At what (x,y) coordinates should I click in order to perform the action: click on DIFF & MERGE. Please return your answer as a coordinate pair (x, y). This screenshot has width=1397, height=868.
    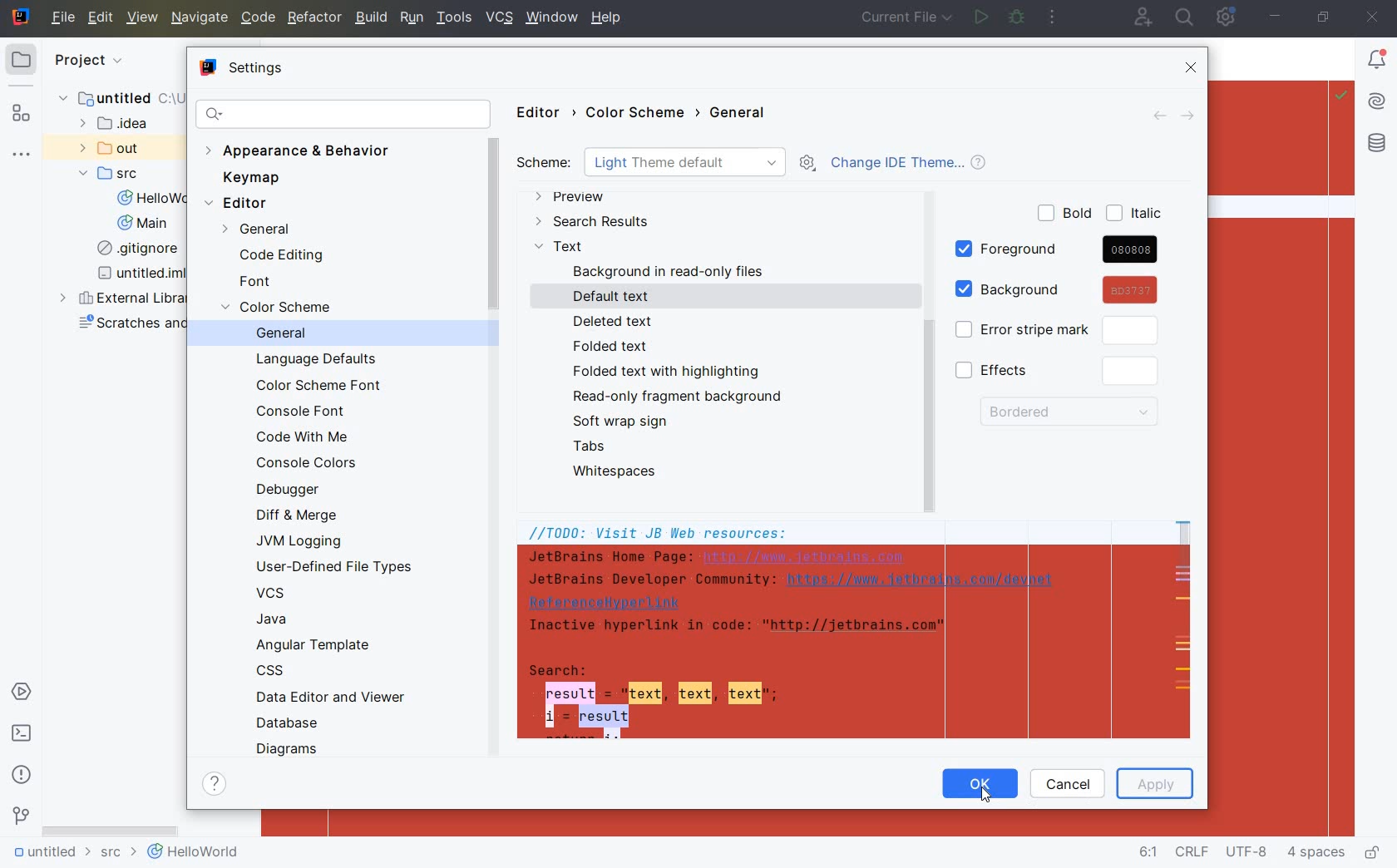
    Looking at the image, I should click on (306, 515).